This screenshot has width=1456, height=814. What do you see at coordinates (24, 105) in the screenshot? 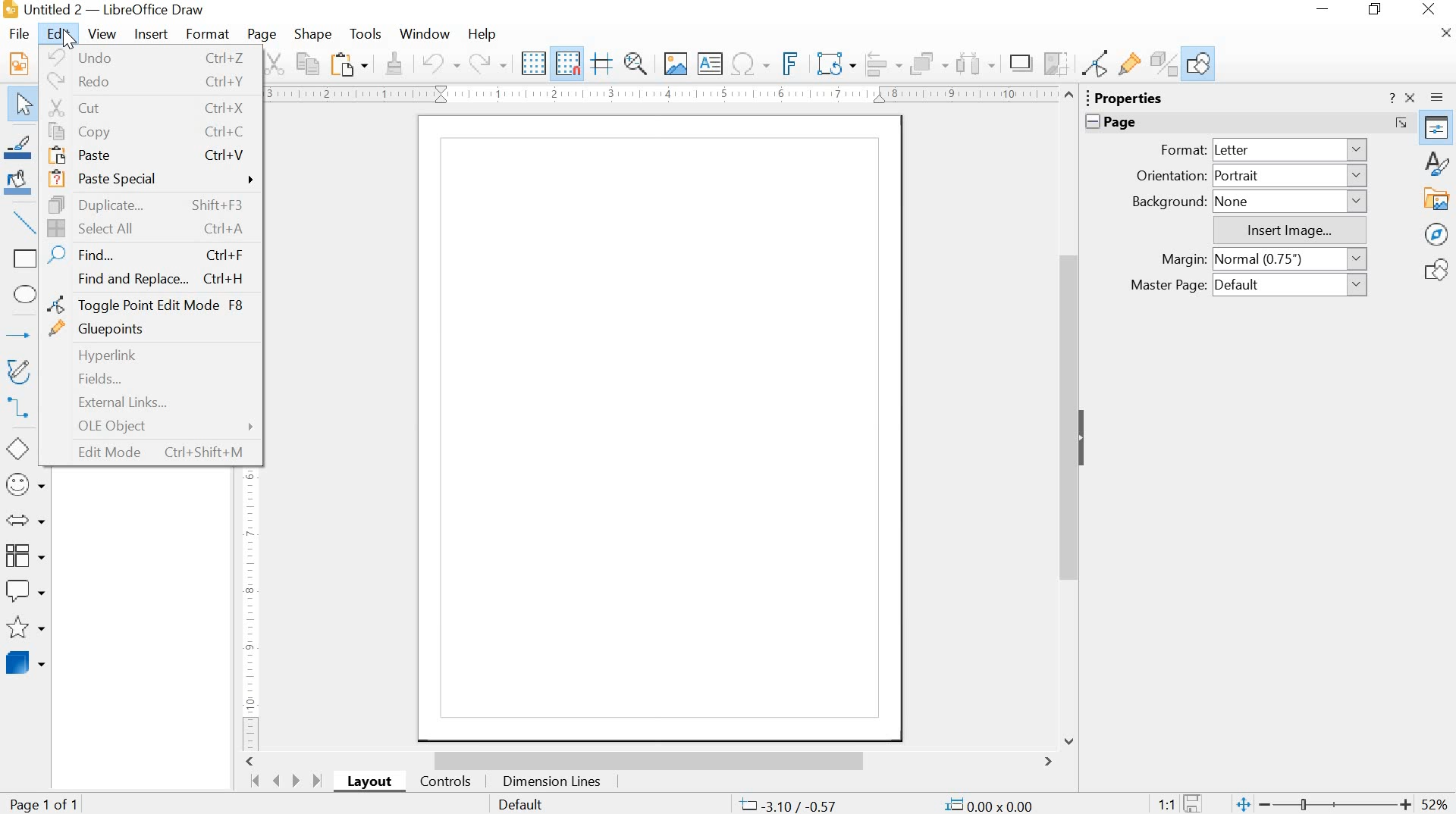
I see `Select` at bounding box center [24, 105].